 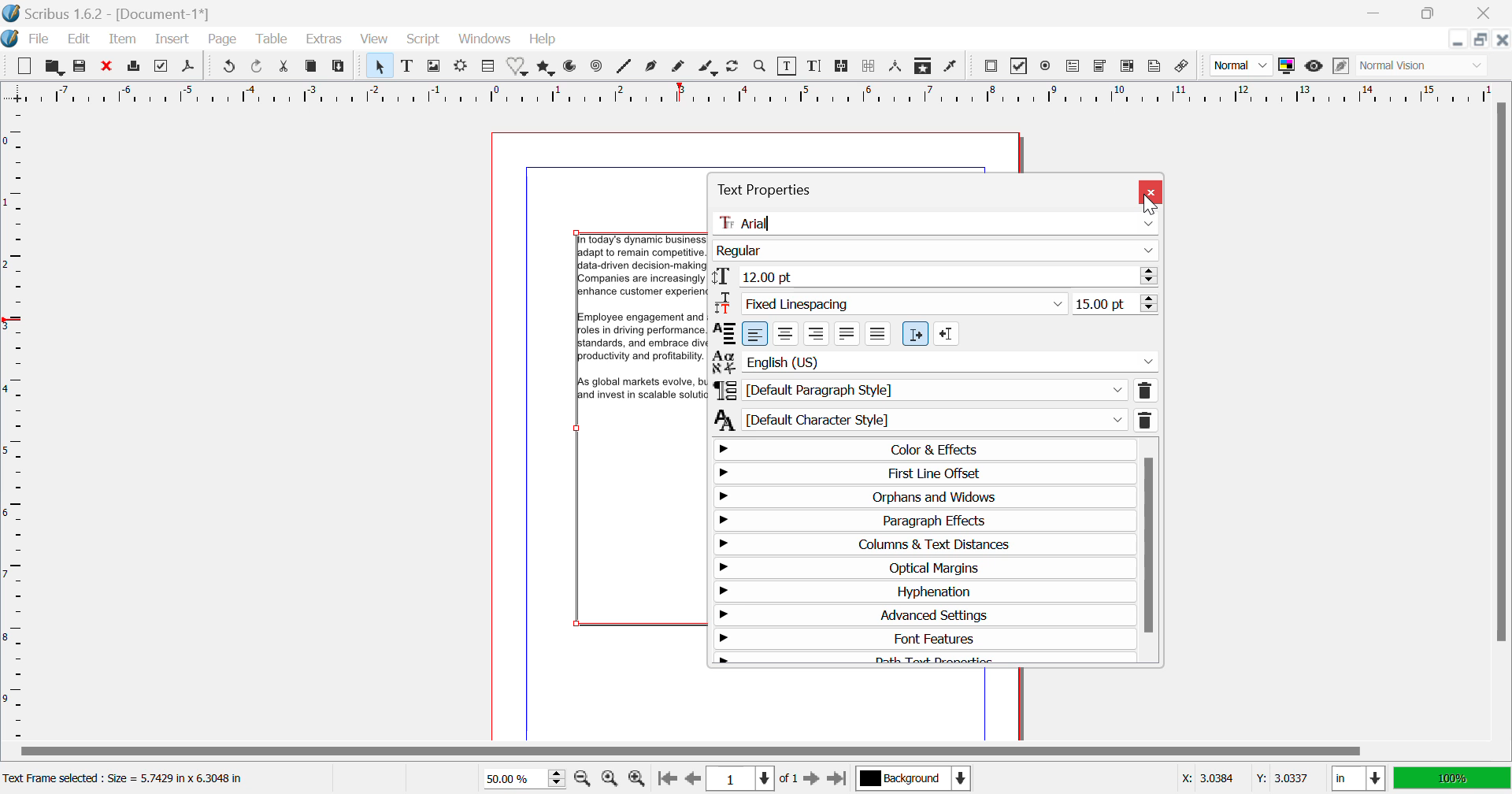 I want to click on First Page, so click(x=666, y=779).